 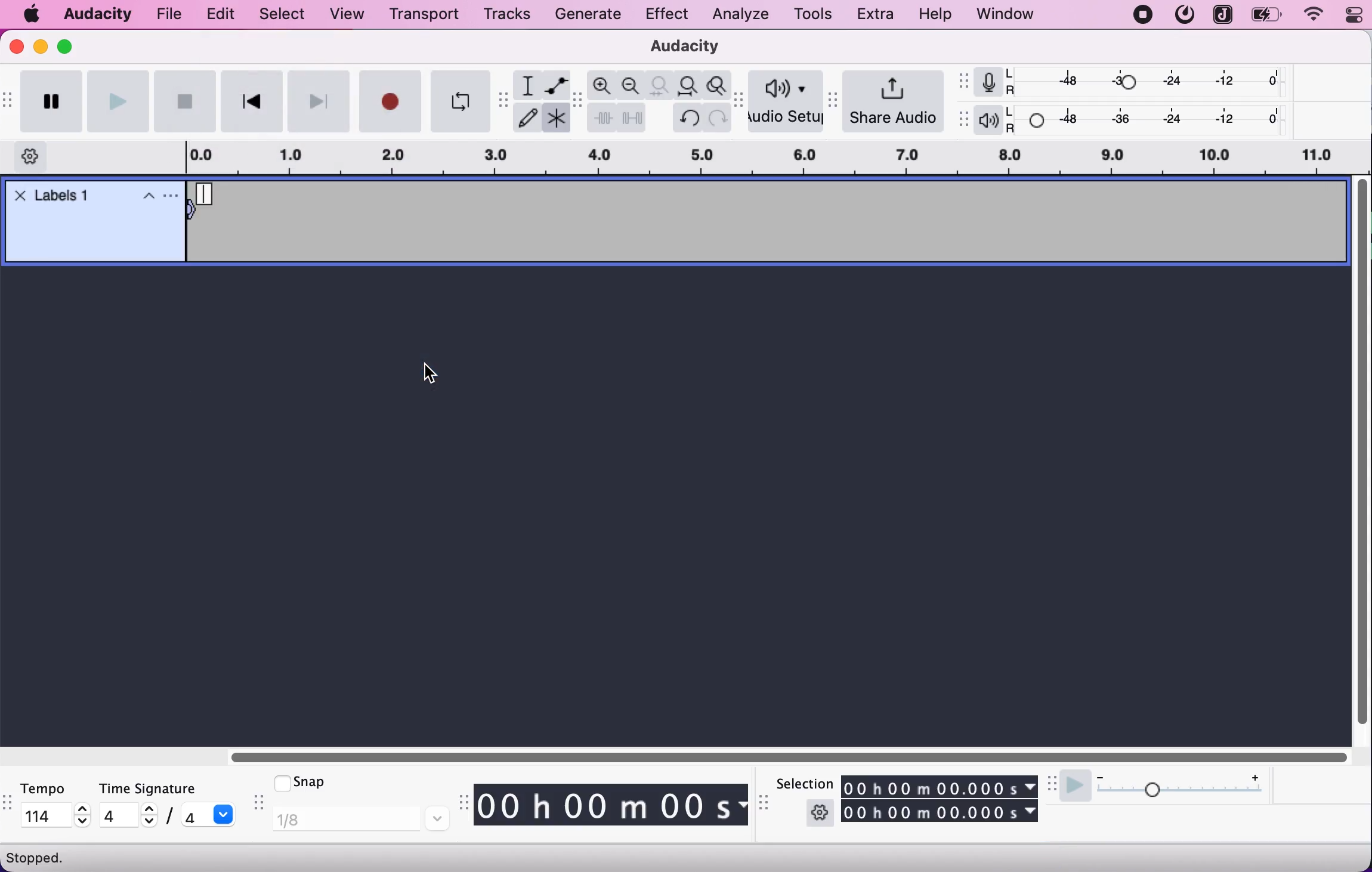 What do you see at coordinates (348, 15) in the screenshot?
I see `view` at bounding box center [348, 15].